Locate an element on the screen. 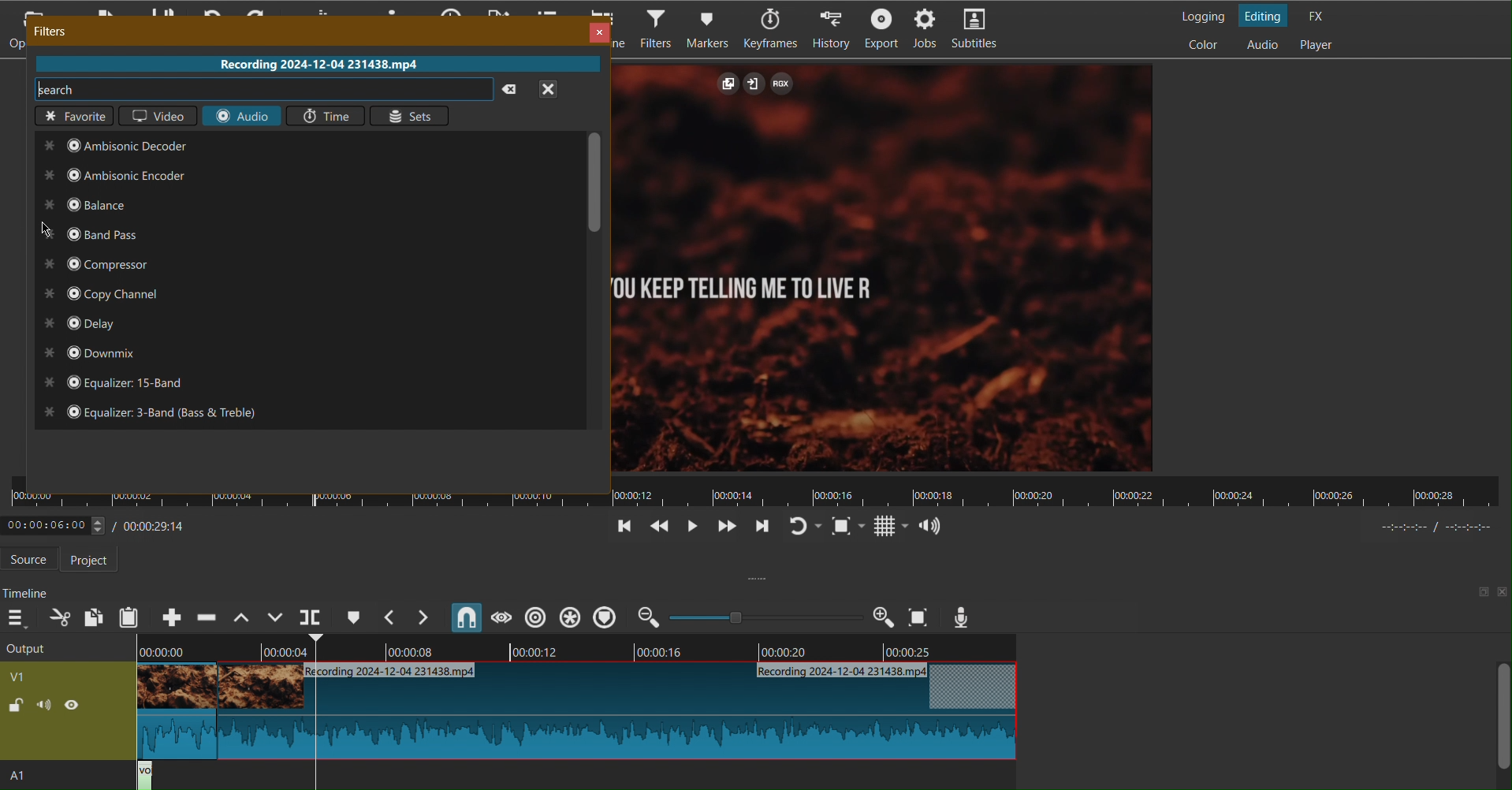  Clip View is located at coordinates (886, 267).